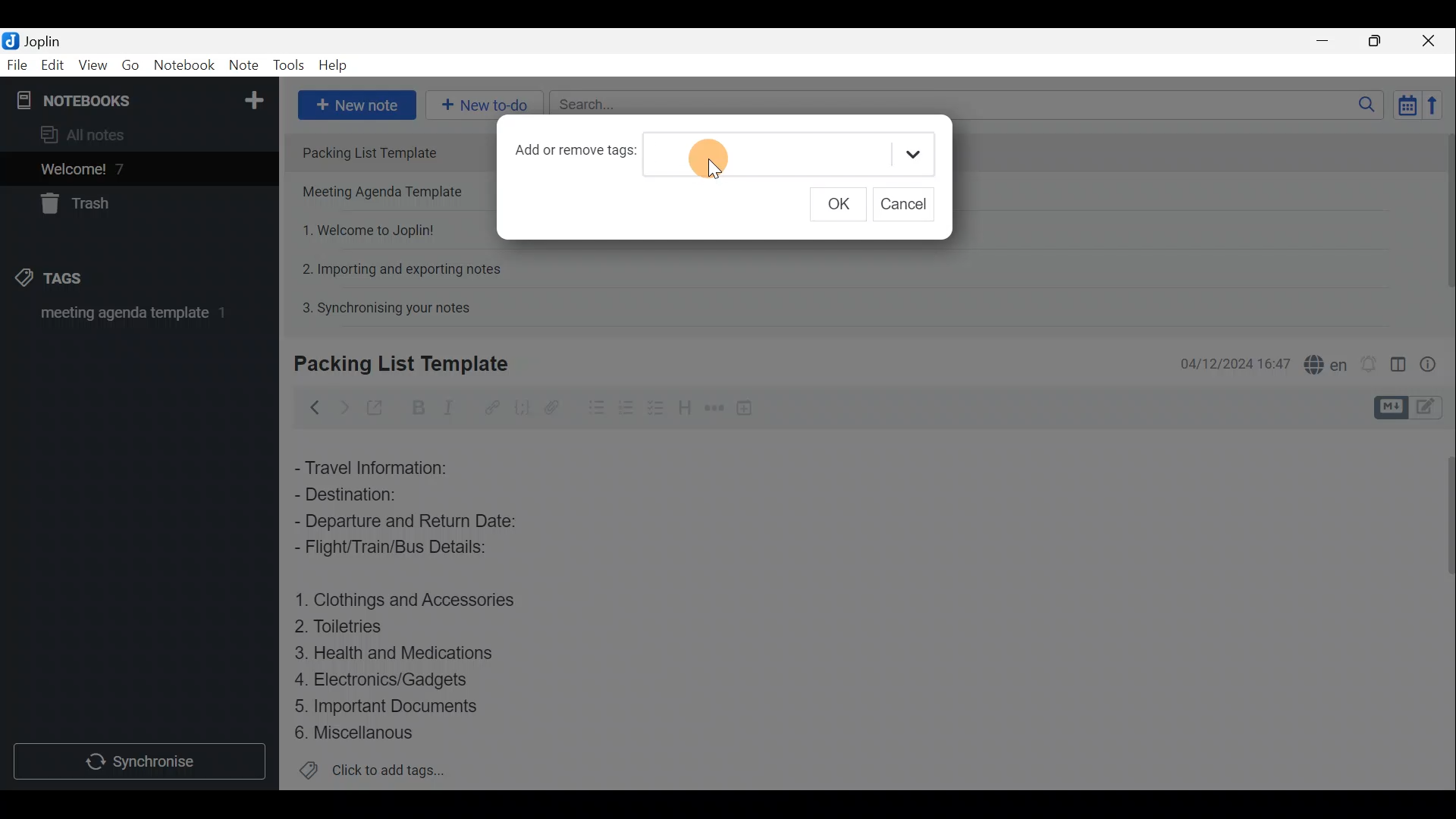  I want to click on Attach file, so click(552, 406).